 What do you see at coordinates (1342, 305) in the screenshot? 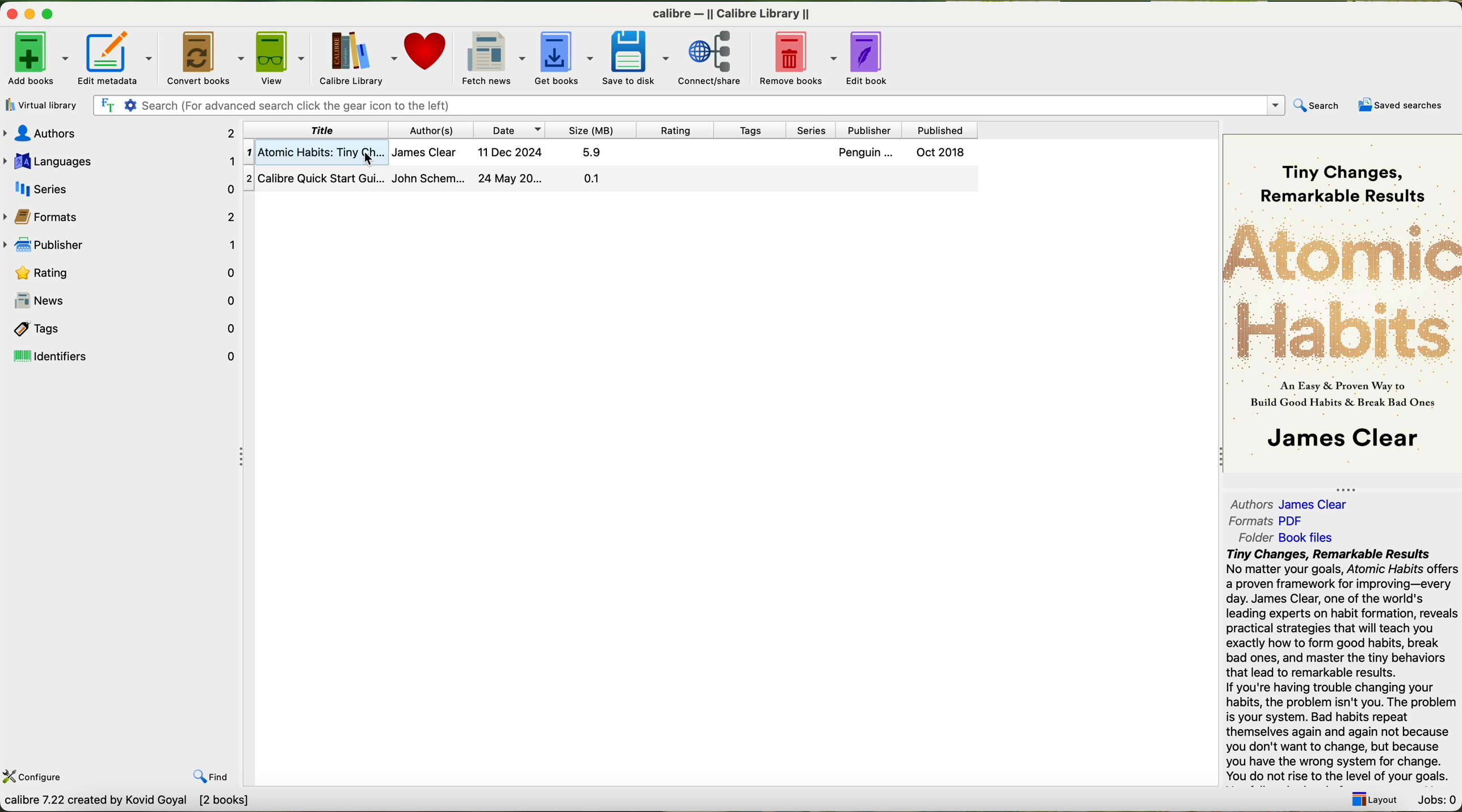
I see `book cover preview` at bounding box center [1342, 305].